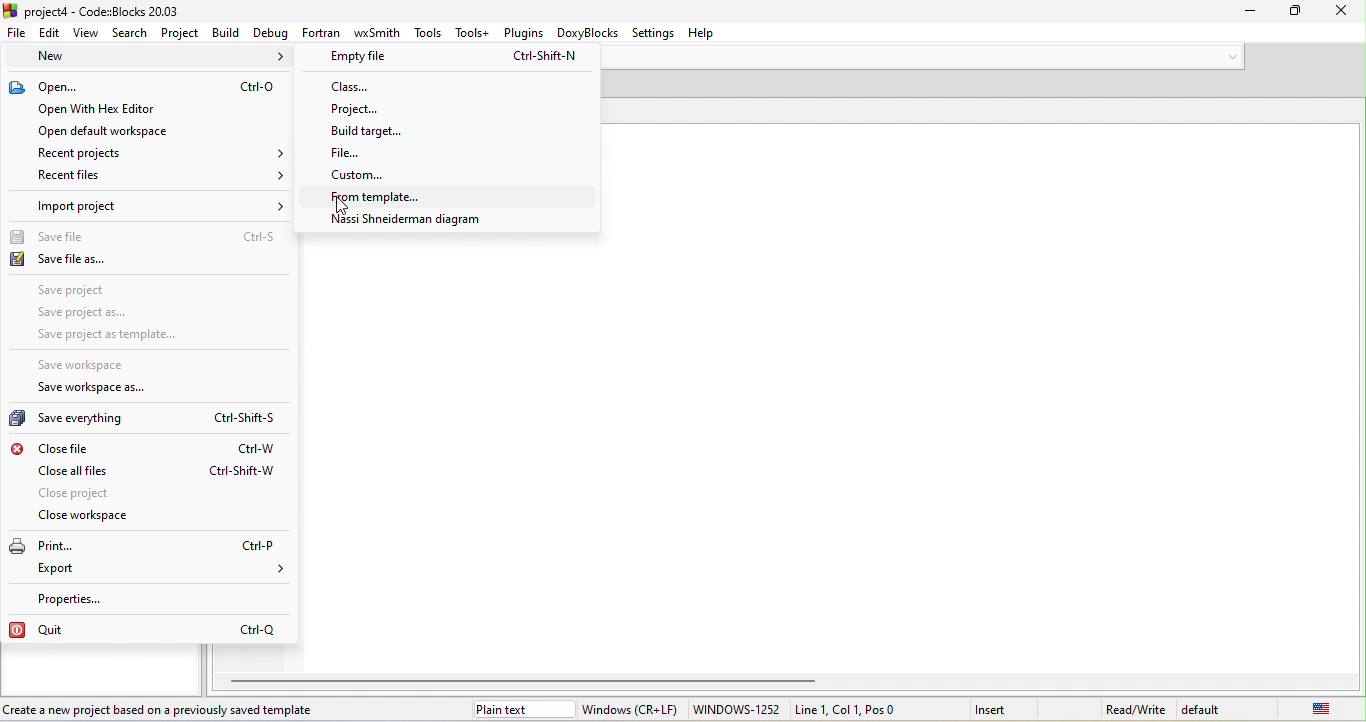  I want to click on save file , so click(152, 234).